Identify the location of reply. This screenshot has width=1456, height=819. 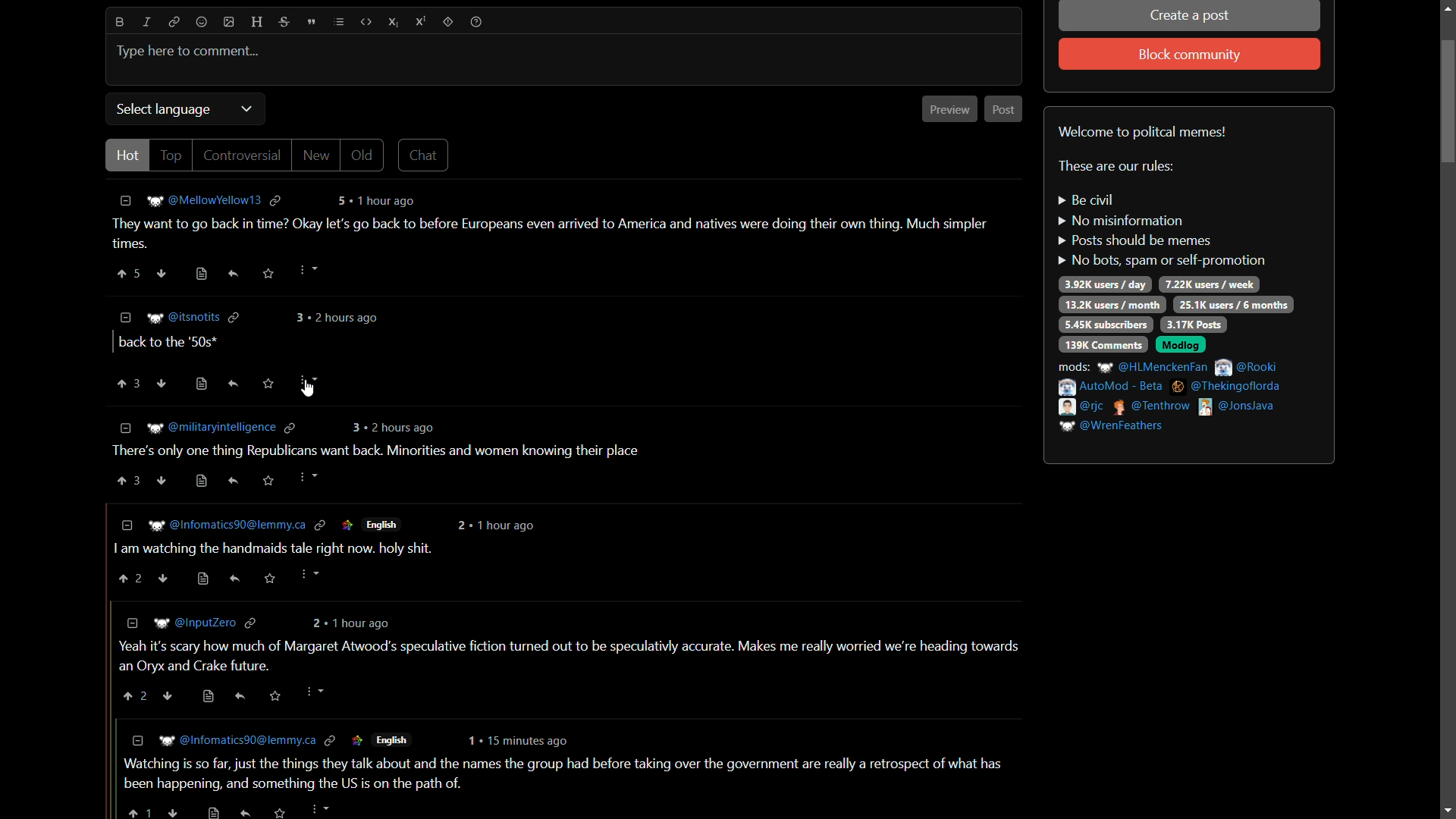
(234, 384).